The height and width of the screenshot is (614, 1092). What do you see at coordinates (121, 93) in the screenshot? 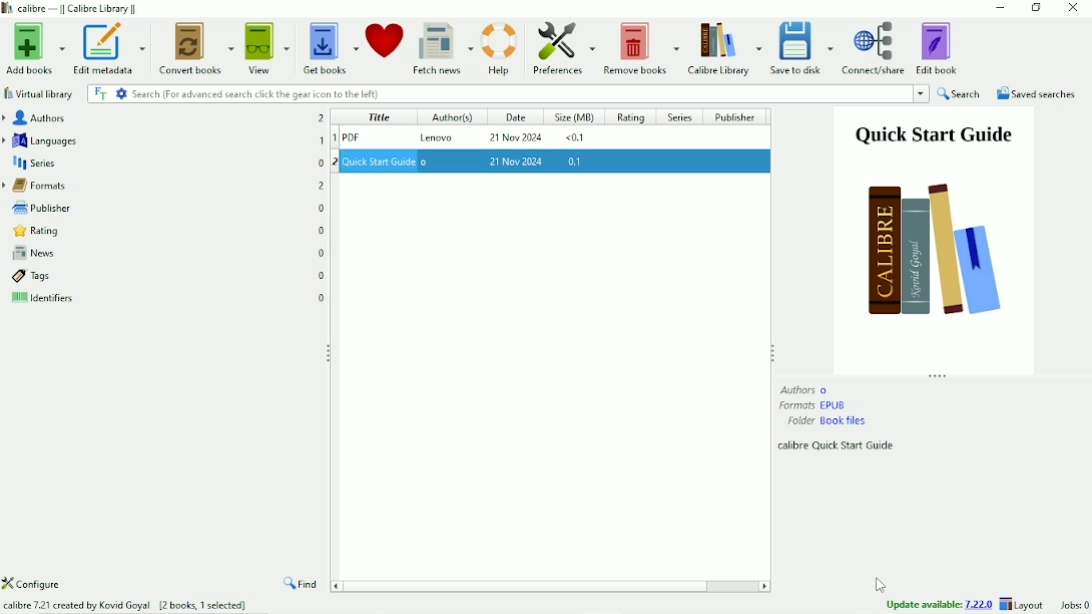
I see `Advanced search` at bounding box center [121, 93].